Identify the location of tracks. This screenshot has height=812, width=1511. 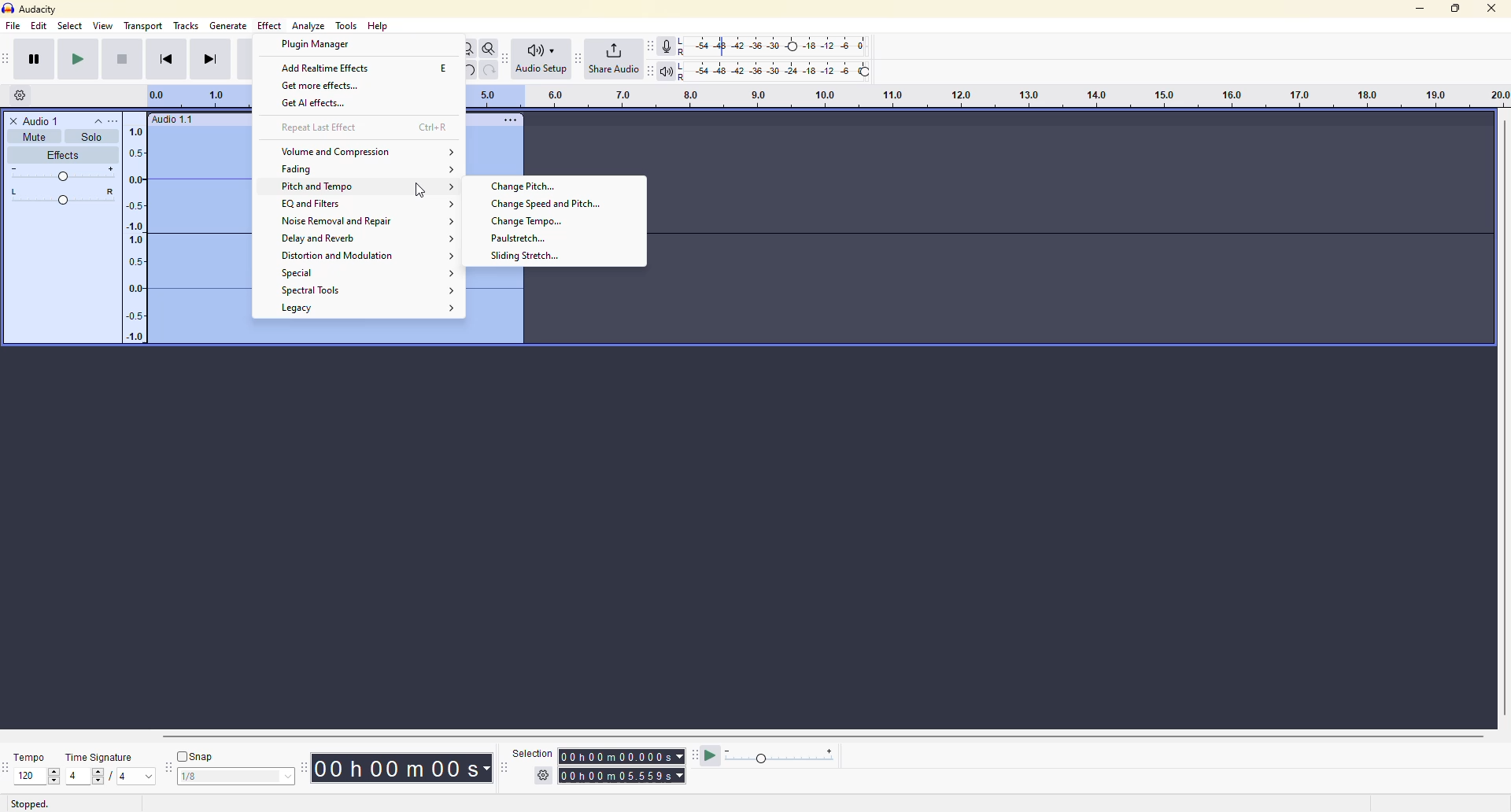
(187, 27).